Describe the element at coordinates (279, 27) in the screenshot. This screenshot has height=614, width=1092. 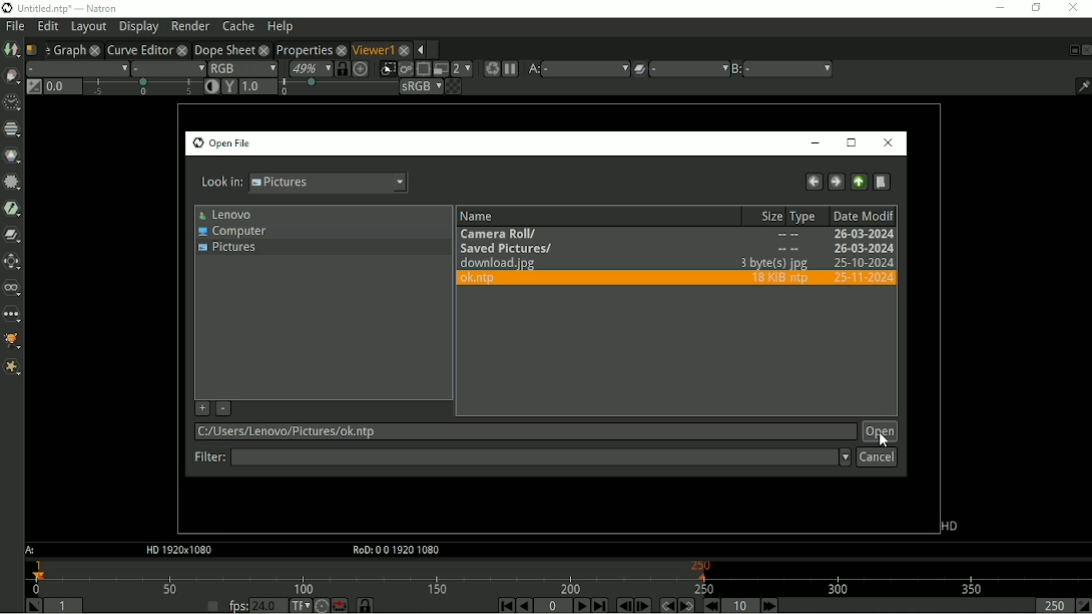
I see `Help` at that location.